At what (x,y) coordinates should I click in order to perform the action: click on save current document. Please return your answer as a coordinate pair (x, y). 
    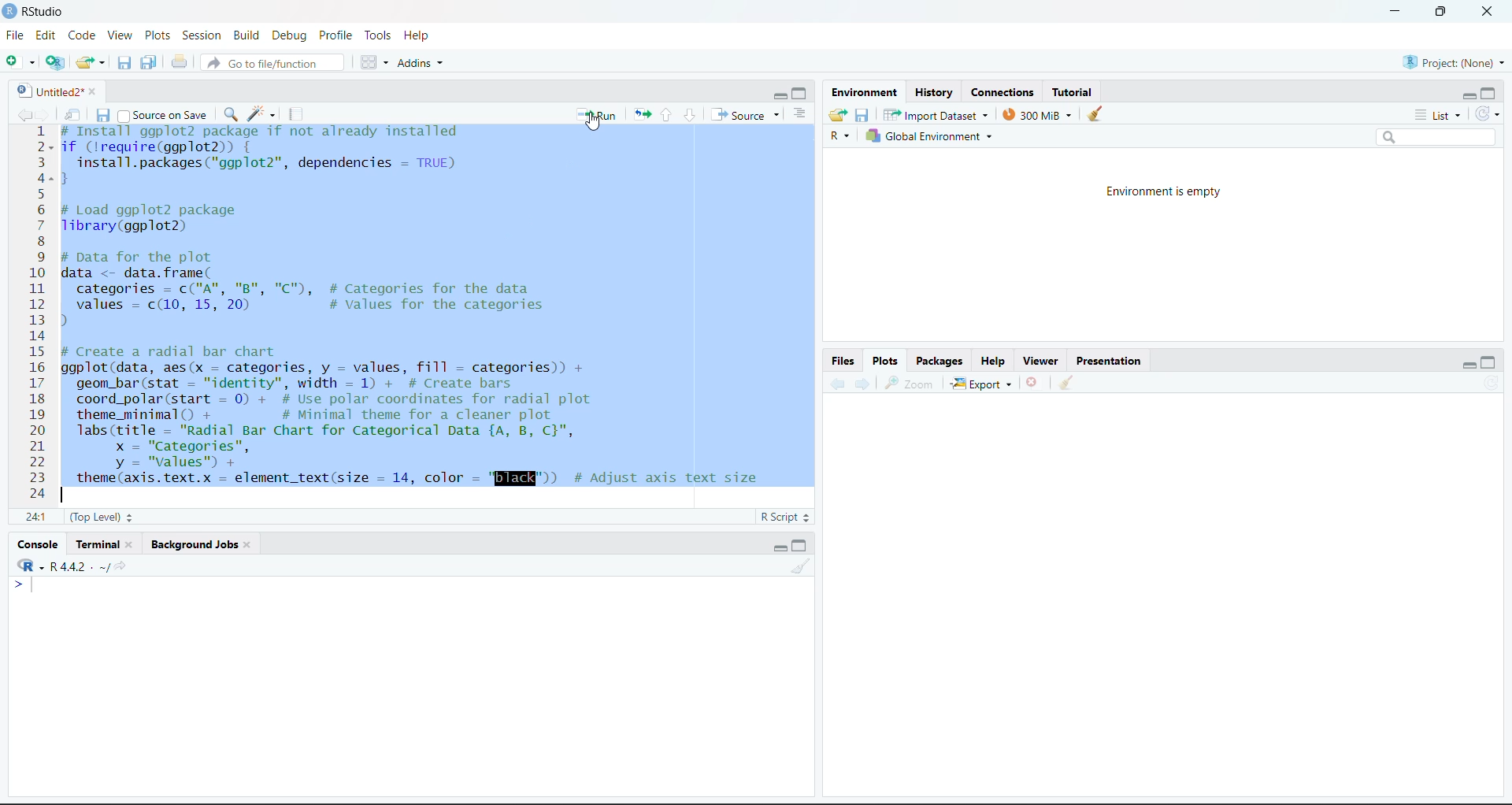
    Looking at the image, I should click on (102, 114).